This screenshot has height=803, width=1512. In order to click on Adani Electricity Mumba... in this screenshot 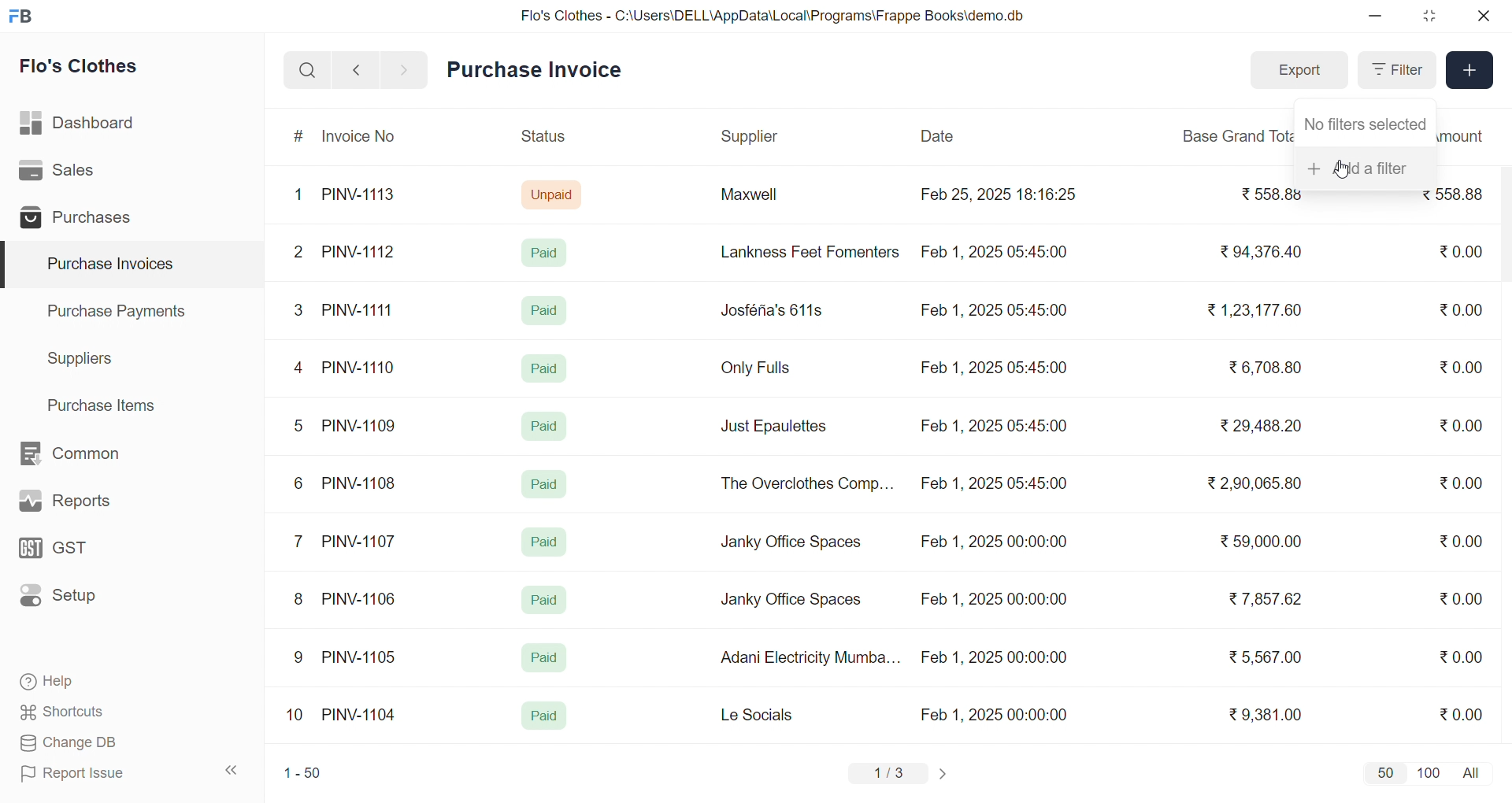, I will do `click(812, 658)`.